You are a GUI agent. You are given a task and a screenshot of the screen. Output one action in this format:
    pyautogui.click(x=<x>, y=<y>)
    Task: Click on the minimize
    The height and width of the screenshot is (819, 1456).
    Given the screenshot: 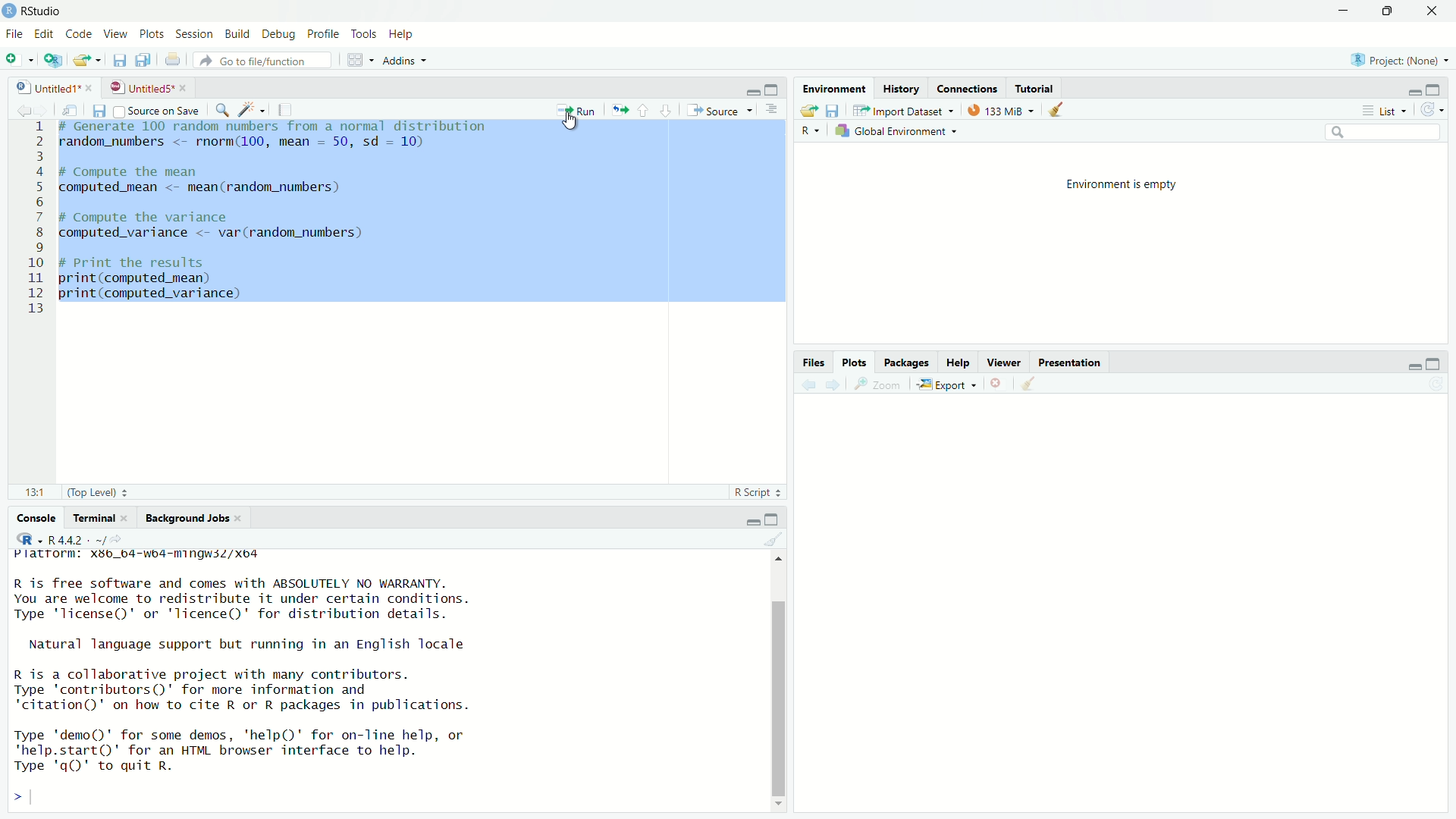 What is the action you would take?
    pyautogui.click(x=748, y=88)
    